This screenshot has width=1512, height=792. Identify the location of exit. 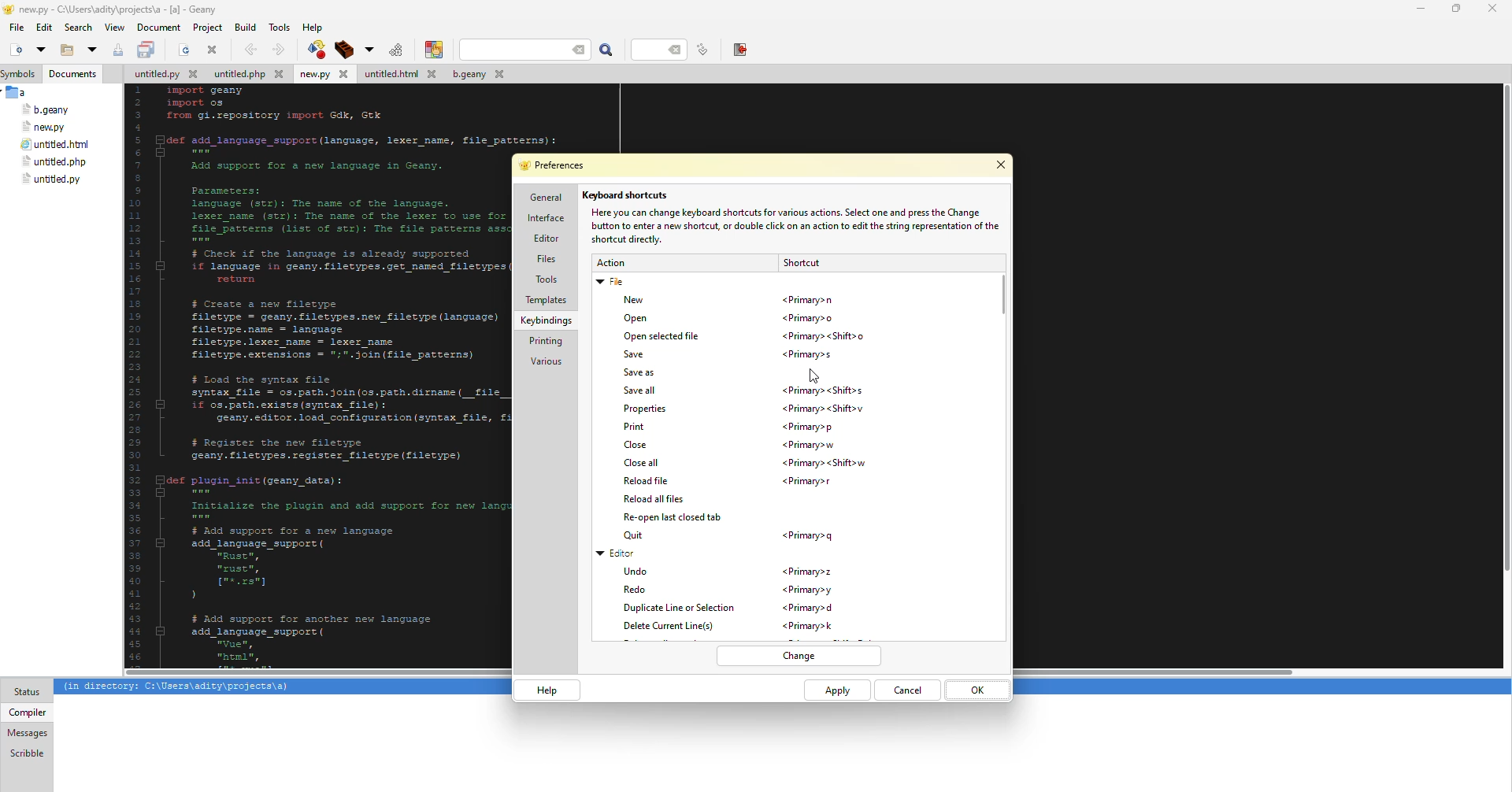
(739, 49).